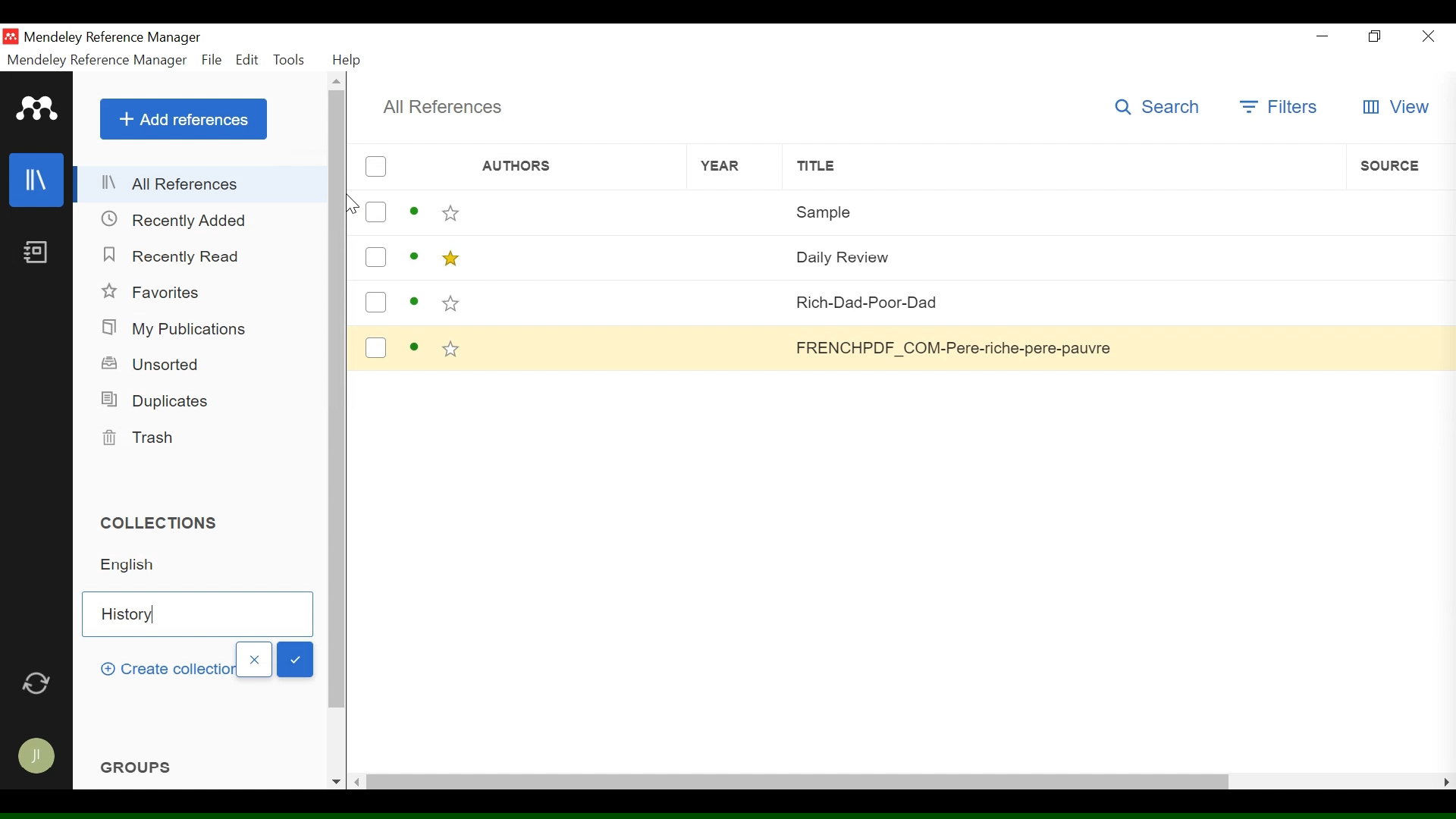 Image resolution: width=1456 pixels, height=819 pixels. Describe the element at coordinates (375, 350) in the screenshot. I see `(un)select` at that location.